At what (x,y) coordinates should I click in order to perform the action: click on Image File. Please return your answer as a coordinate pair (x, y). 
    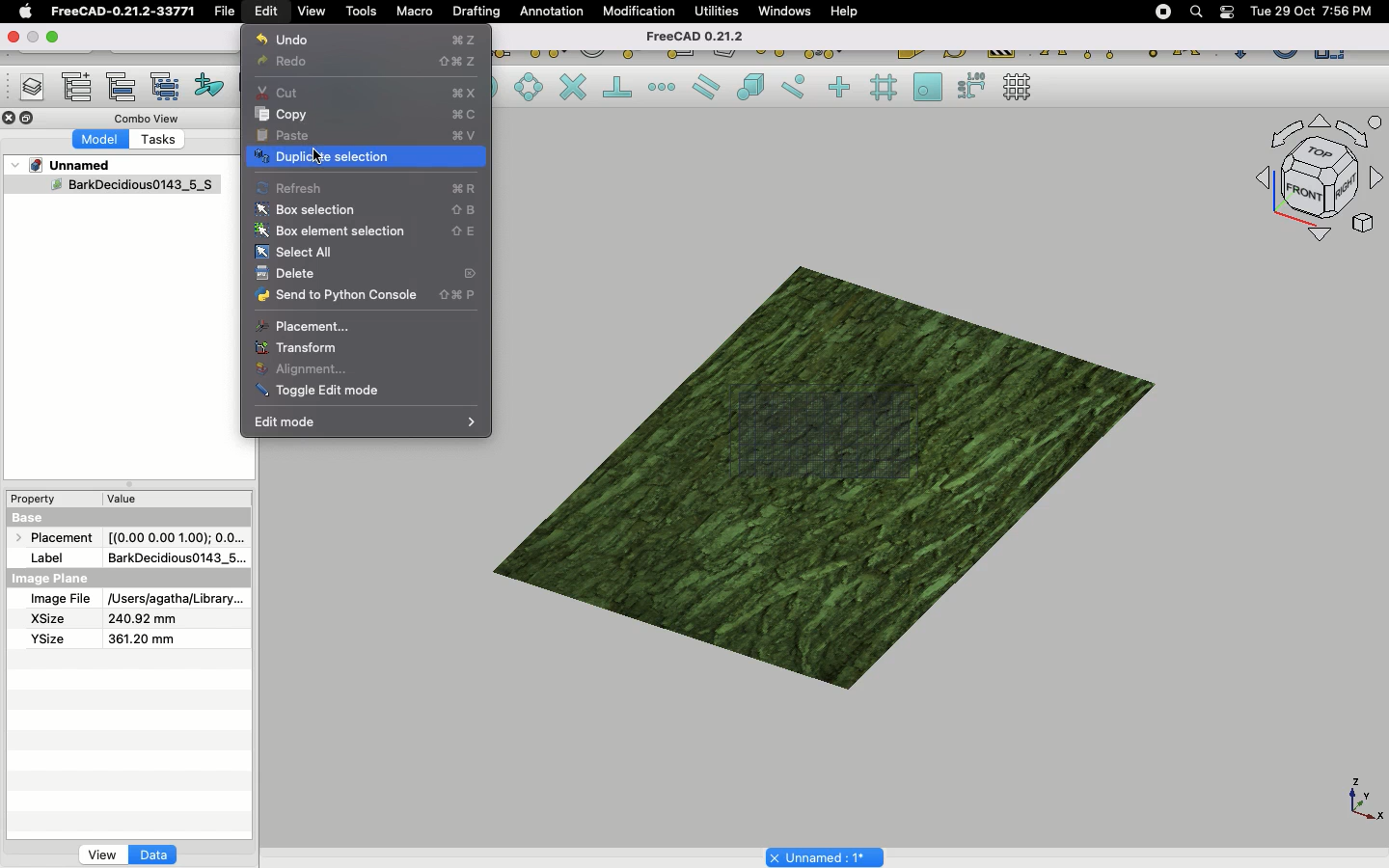
    Looking at the image, I should click on (60, 600).